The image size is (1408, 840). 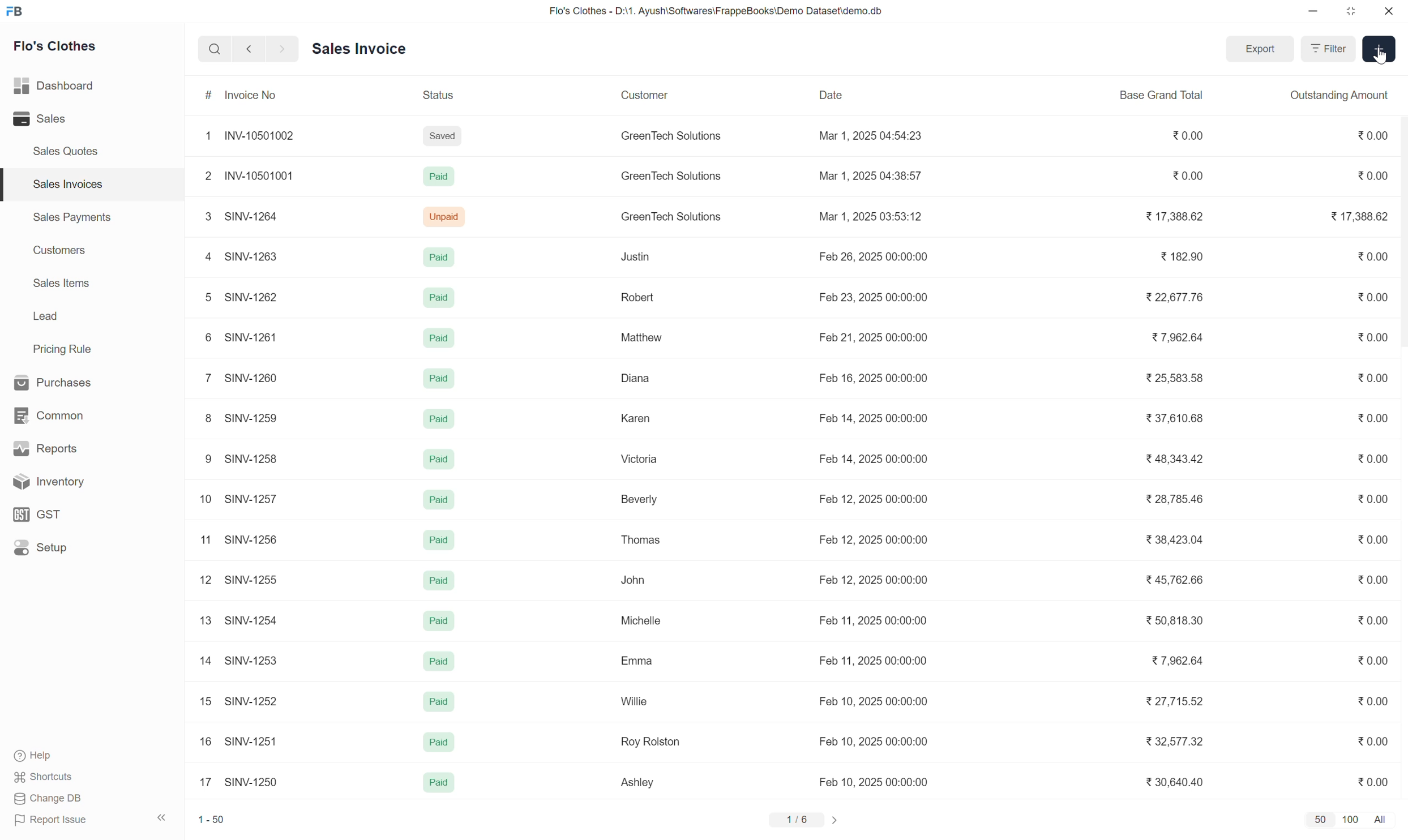 I want to click on Willie, so click(x=634, y=704).